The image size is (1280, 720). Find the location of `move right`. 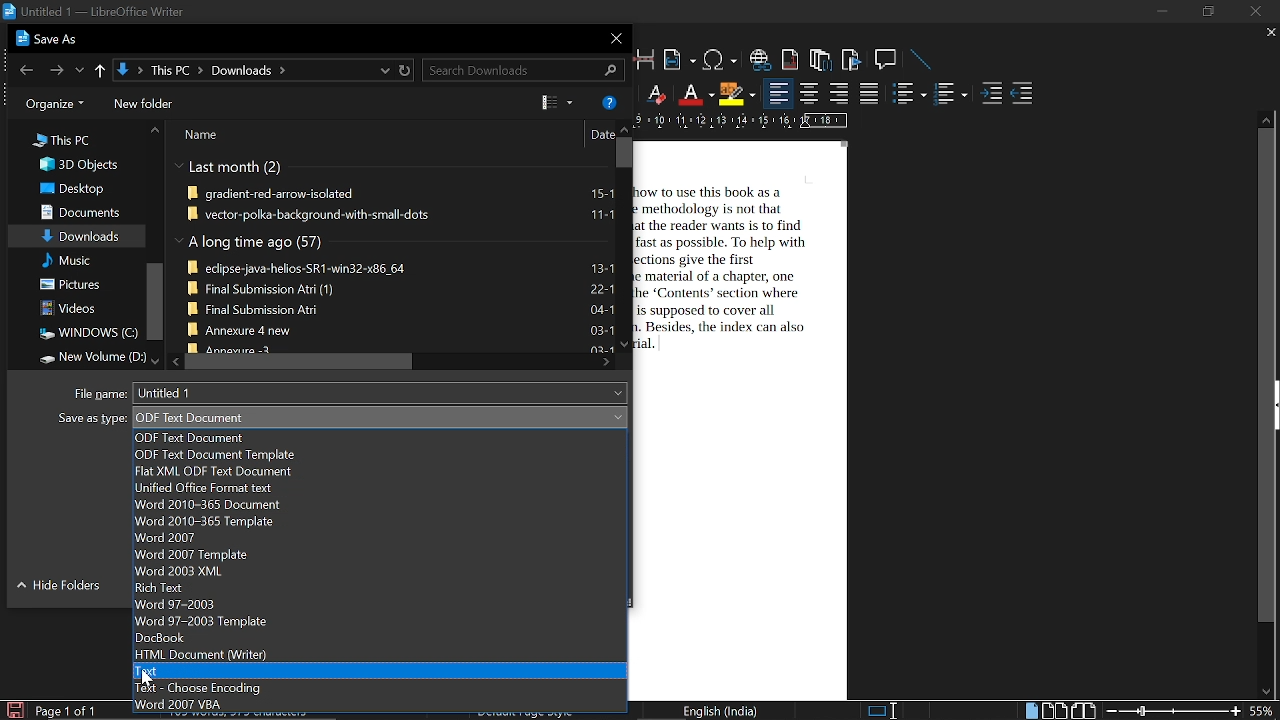

move right is located at coordinates (606, 363).